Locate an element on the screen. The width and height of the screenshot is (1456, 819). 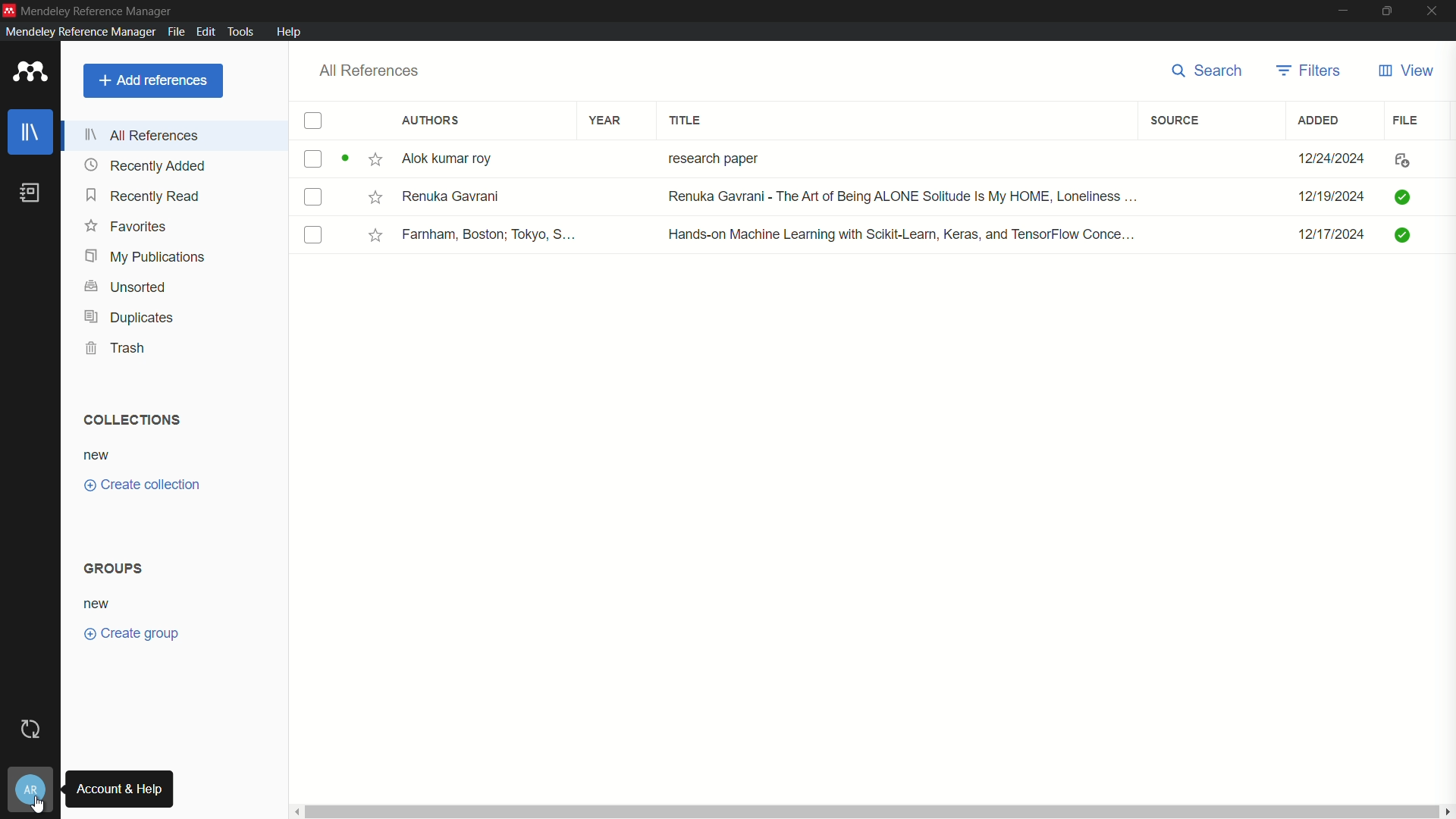
check is located at coordinates (309, 158).